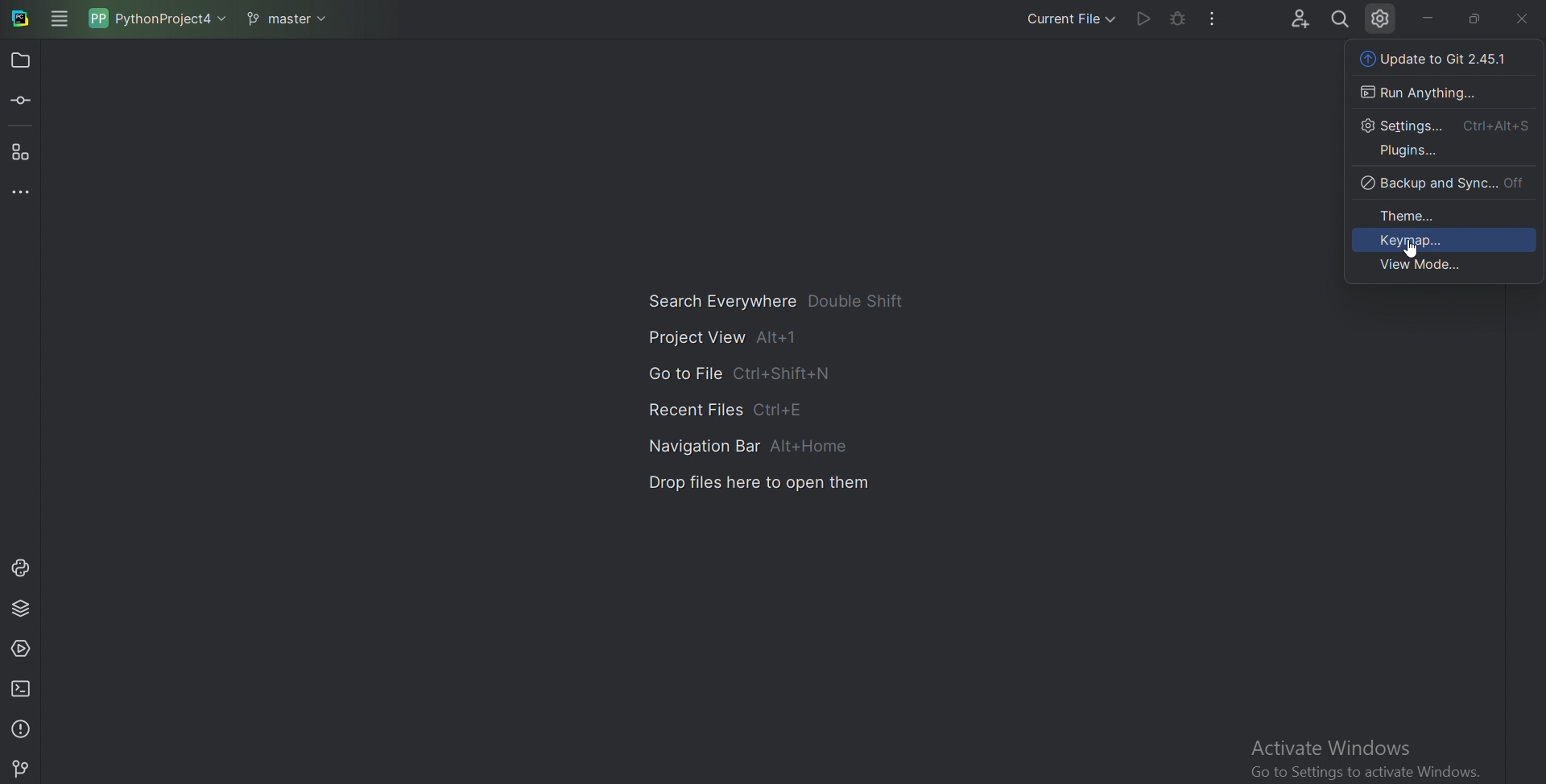  I want to click on Git, so click(23, 765).